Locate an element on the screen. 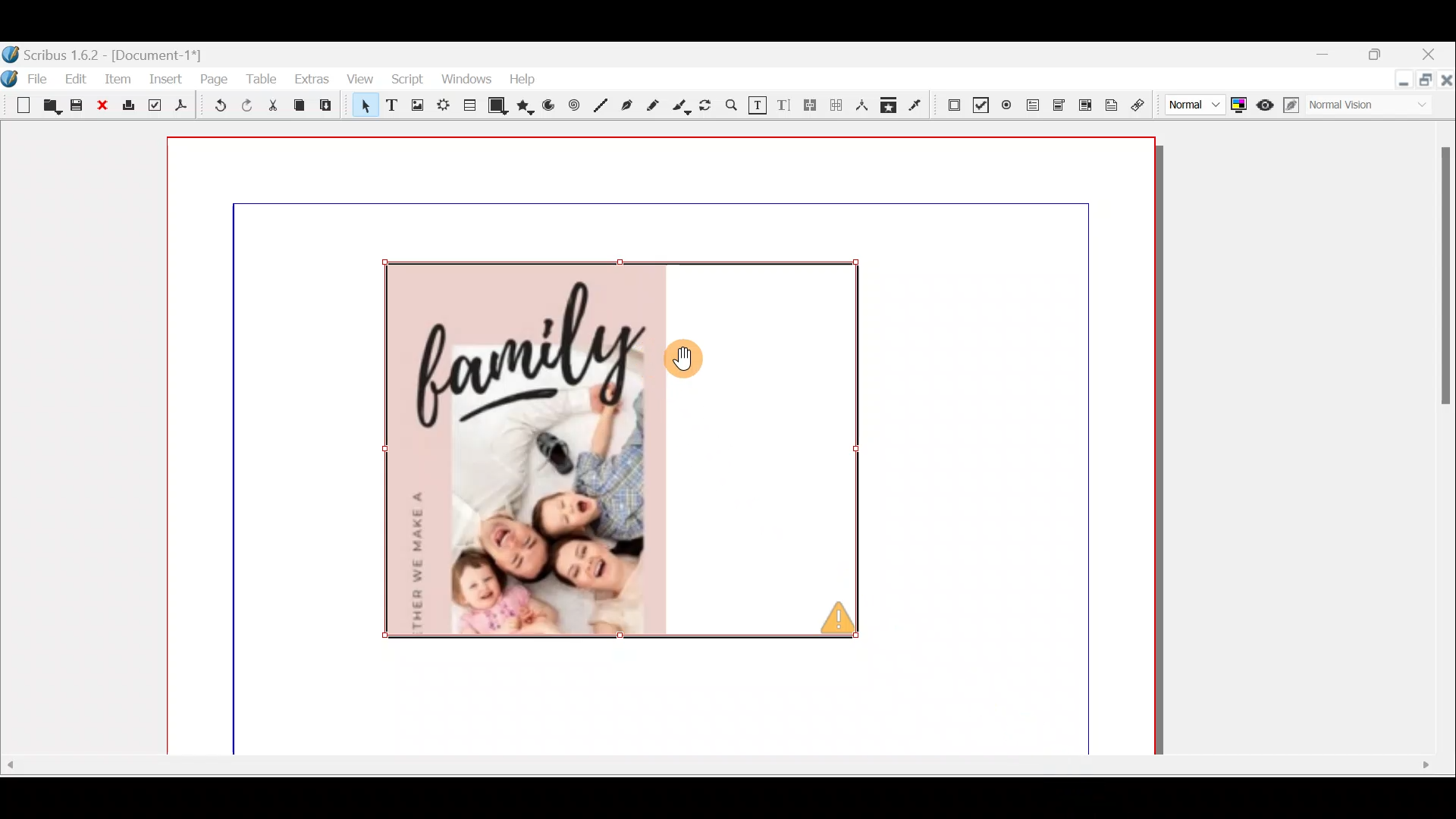 This screenshot has width=1456, height=819. Zoom in or out is located at coordinates (730, 109).